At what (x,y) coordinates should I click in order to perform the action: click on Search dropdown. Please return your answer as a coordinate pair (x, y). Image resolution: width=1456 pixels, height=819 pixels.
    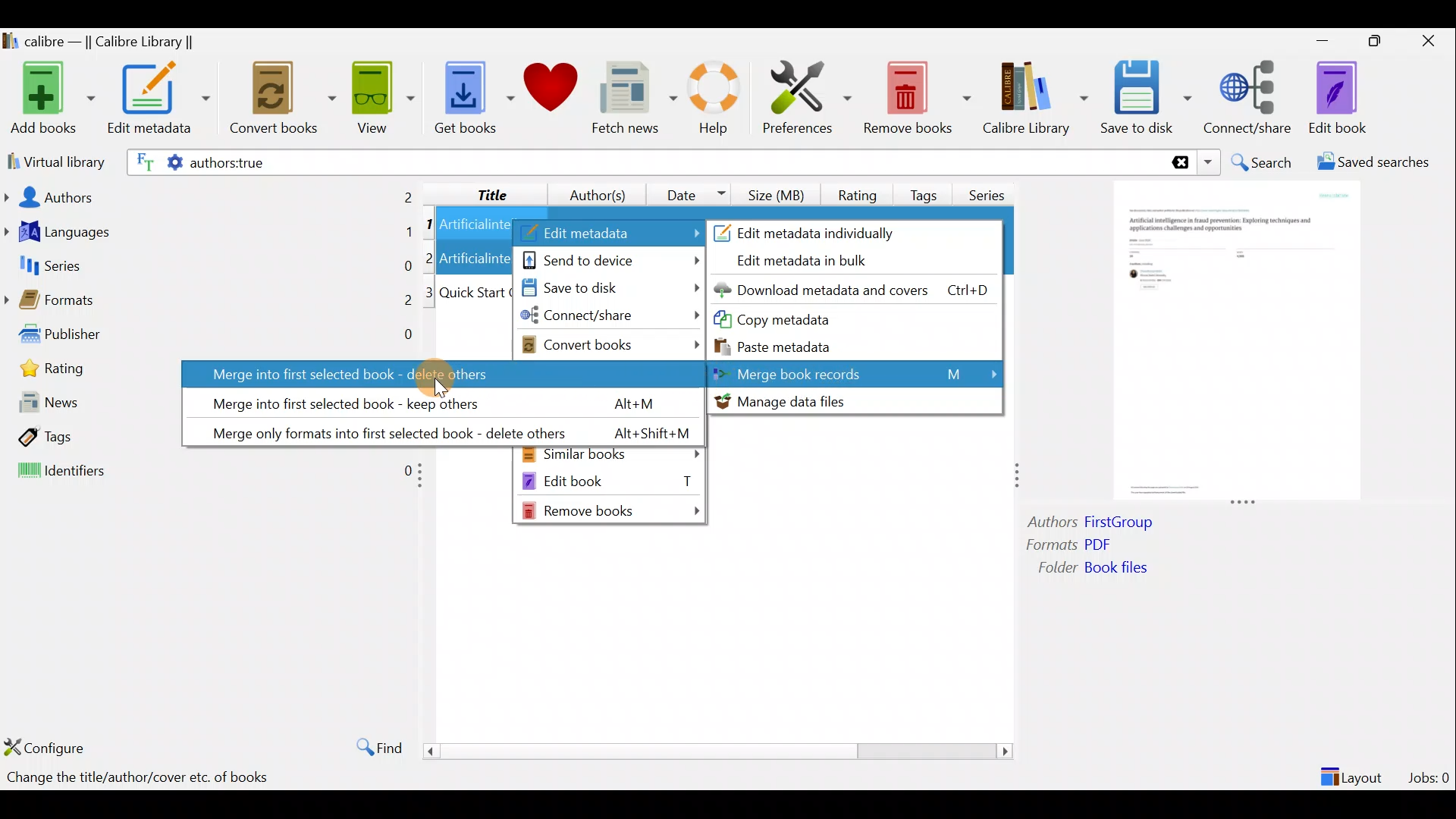
    Looking at the image, I should click on (1210, 162).